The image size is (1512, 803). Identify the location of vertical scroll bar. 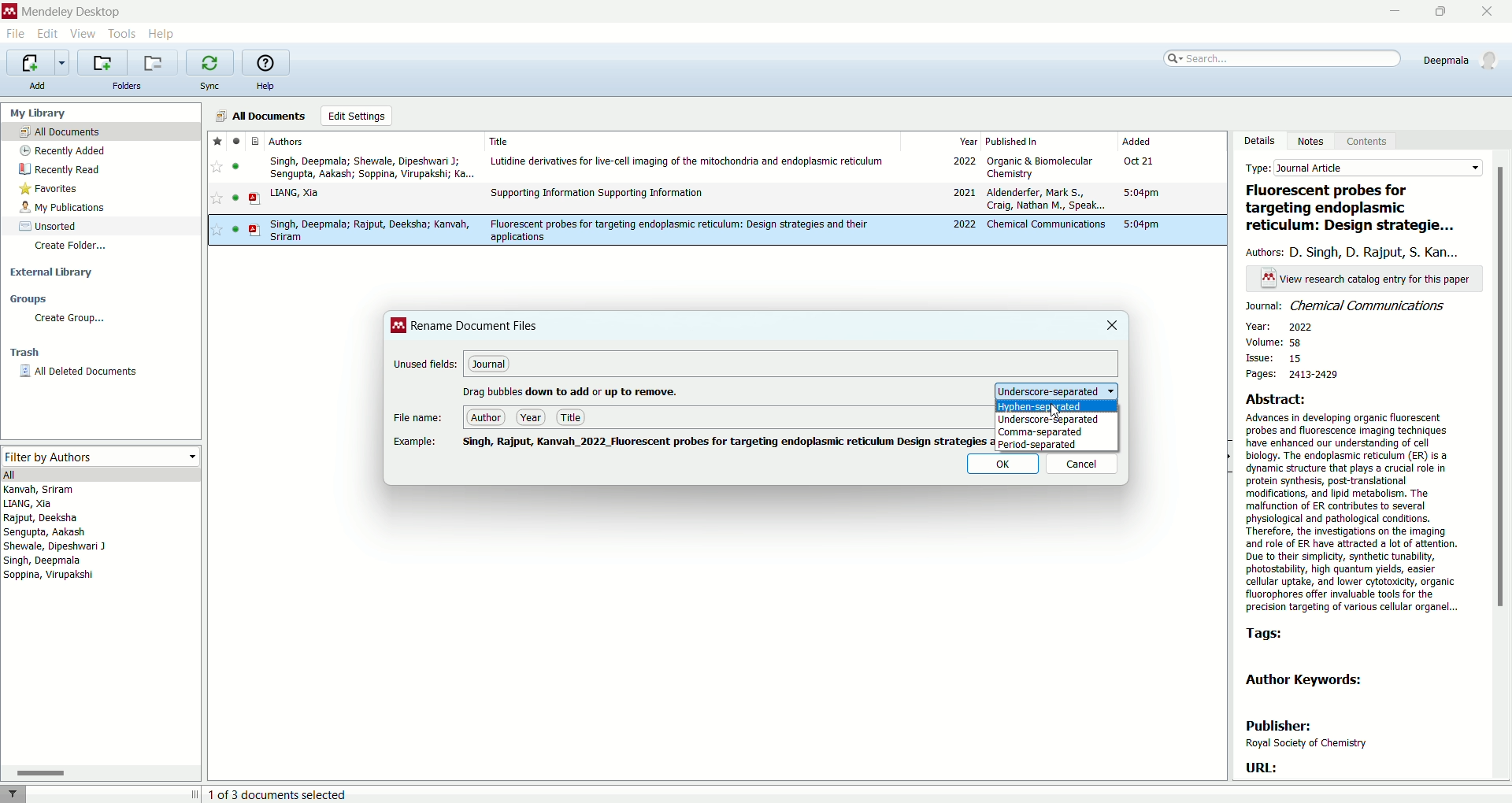
(1503, 465).